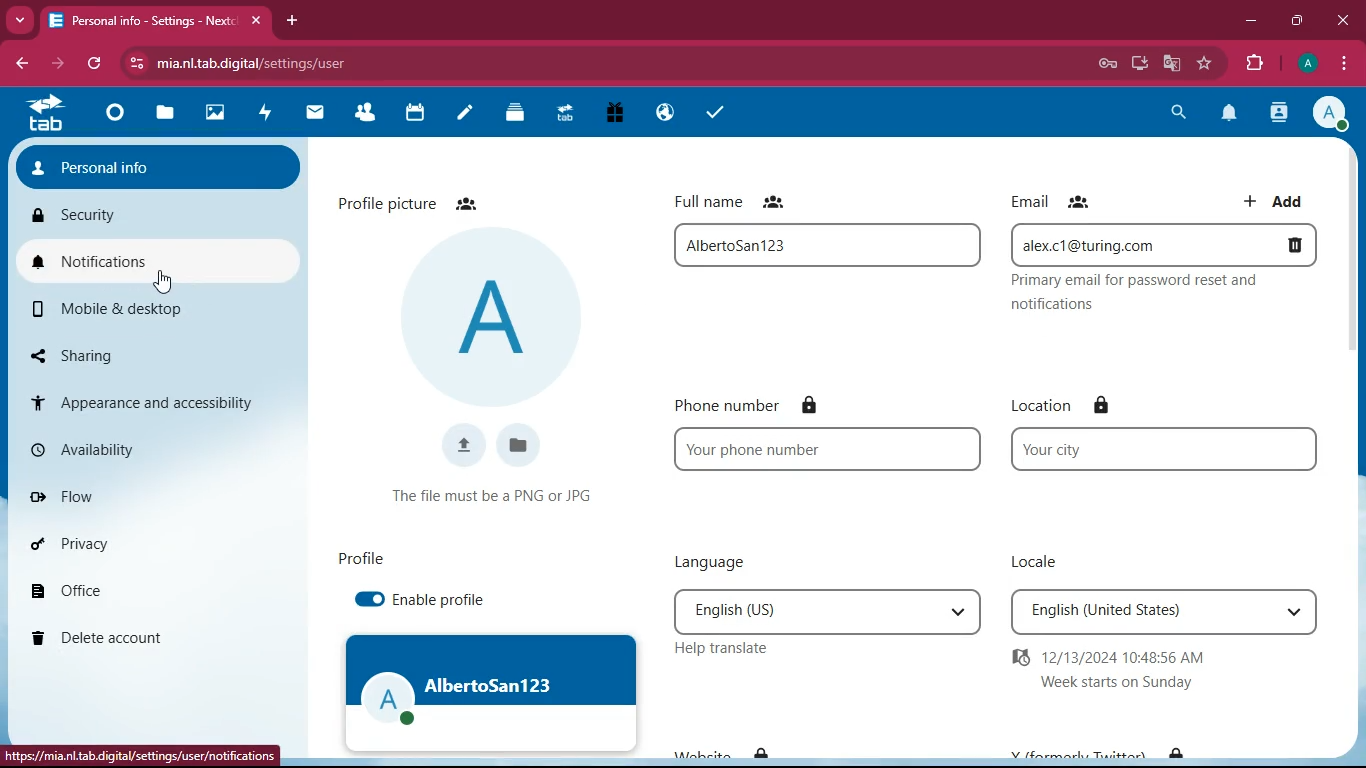 This screenshot has height=768, width=1366. Describe the element at coordinates (727, 649) in the screenshot. I see `help translate` at that location.